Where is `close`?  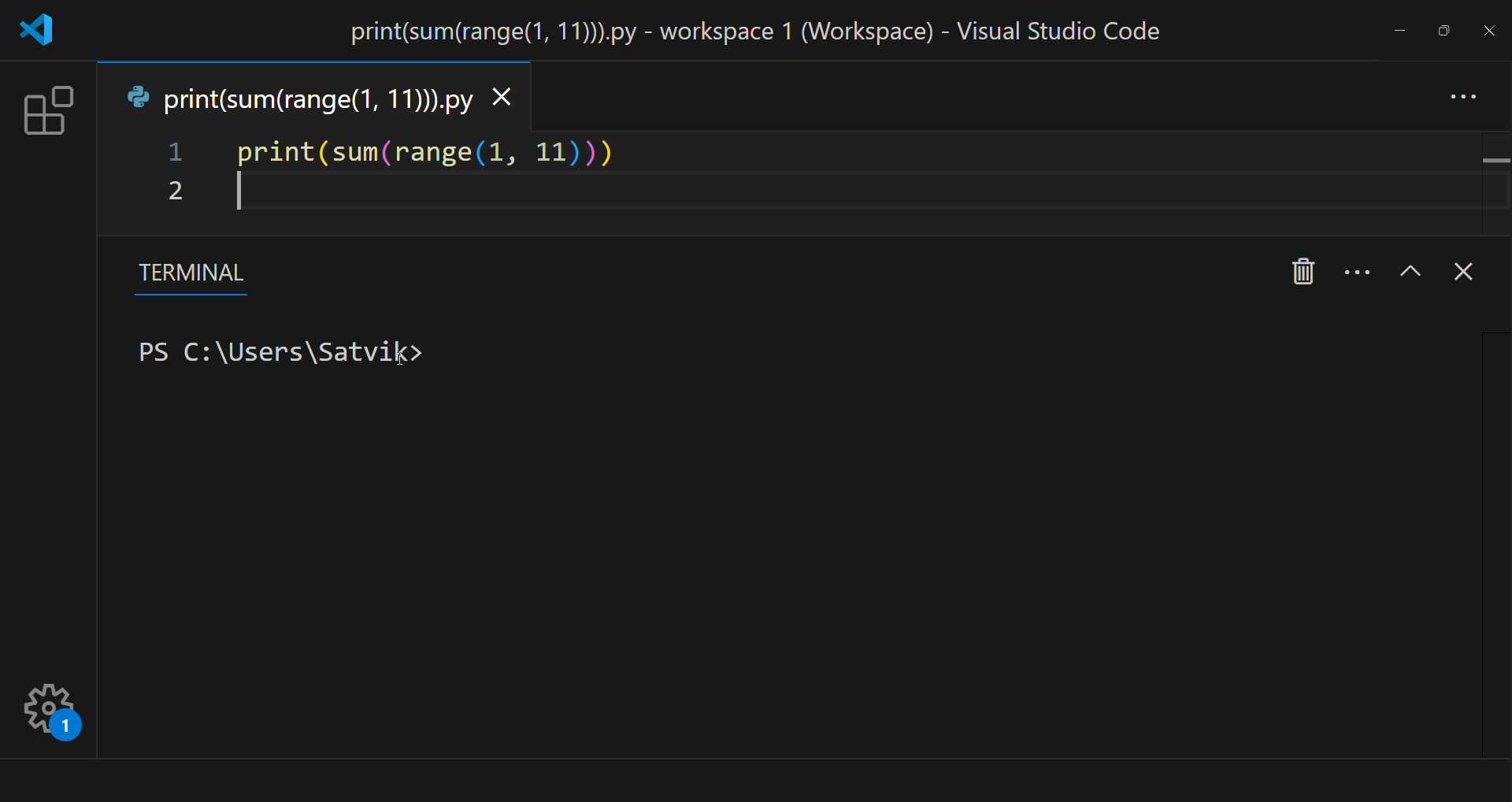 close is located at coordinates (1488, 29).